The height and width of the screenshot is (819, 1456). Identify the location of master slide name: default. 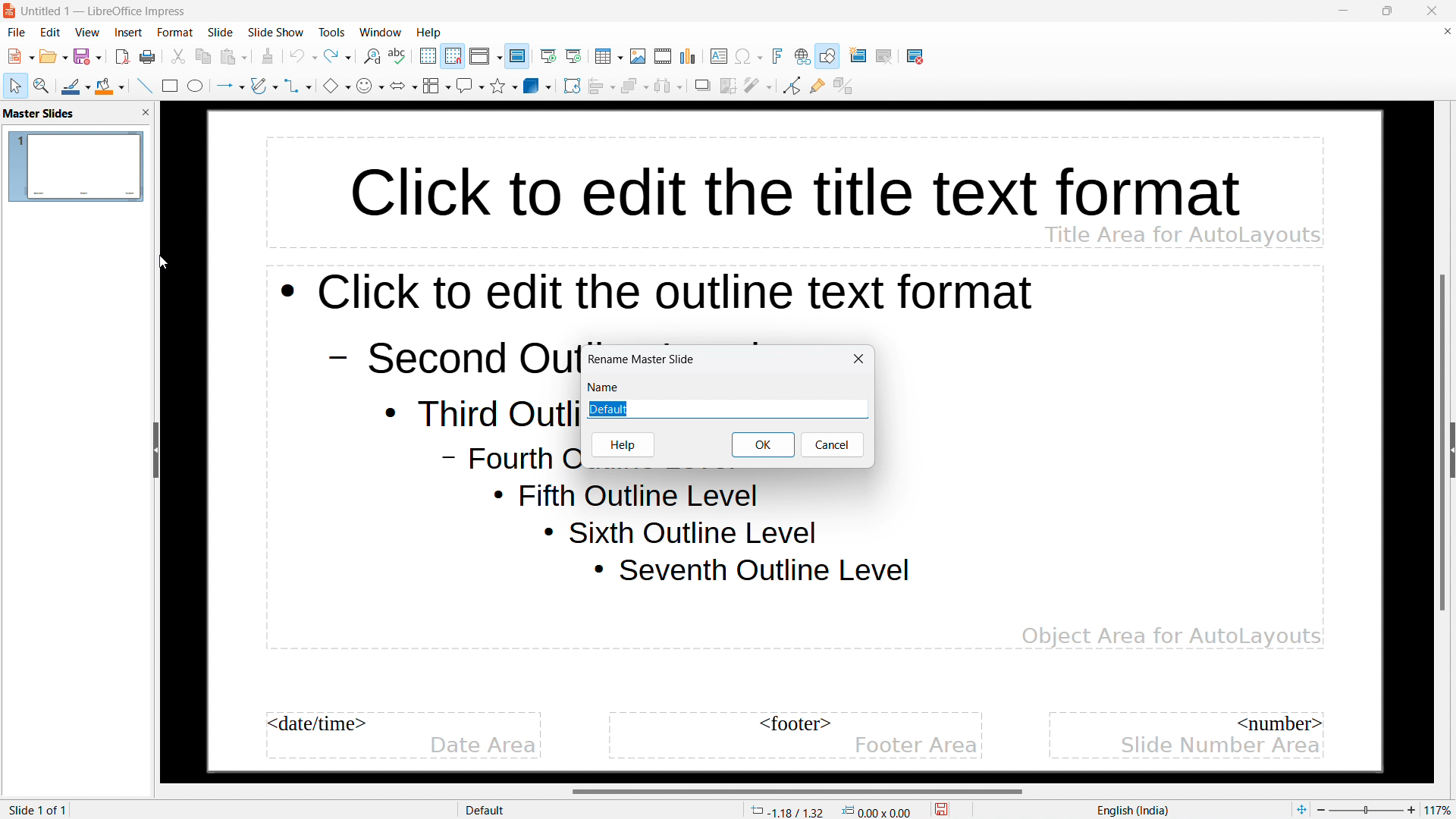
(75, 165).